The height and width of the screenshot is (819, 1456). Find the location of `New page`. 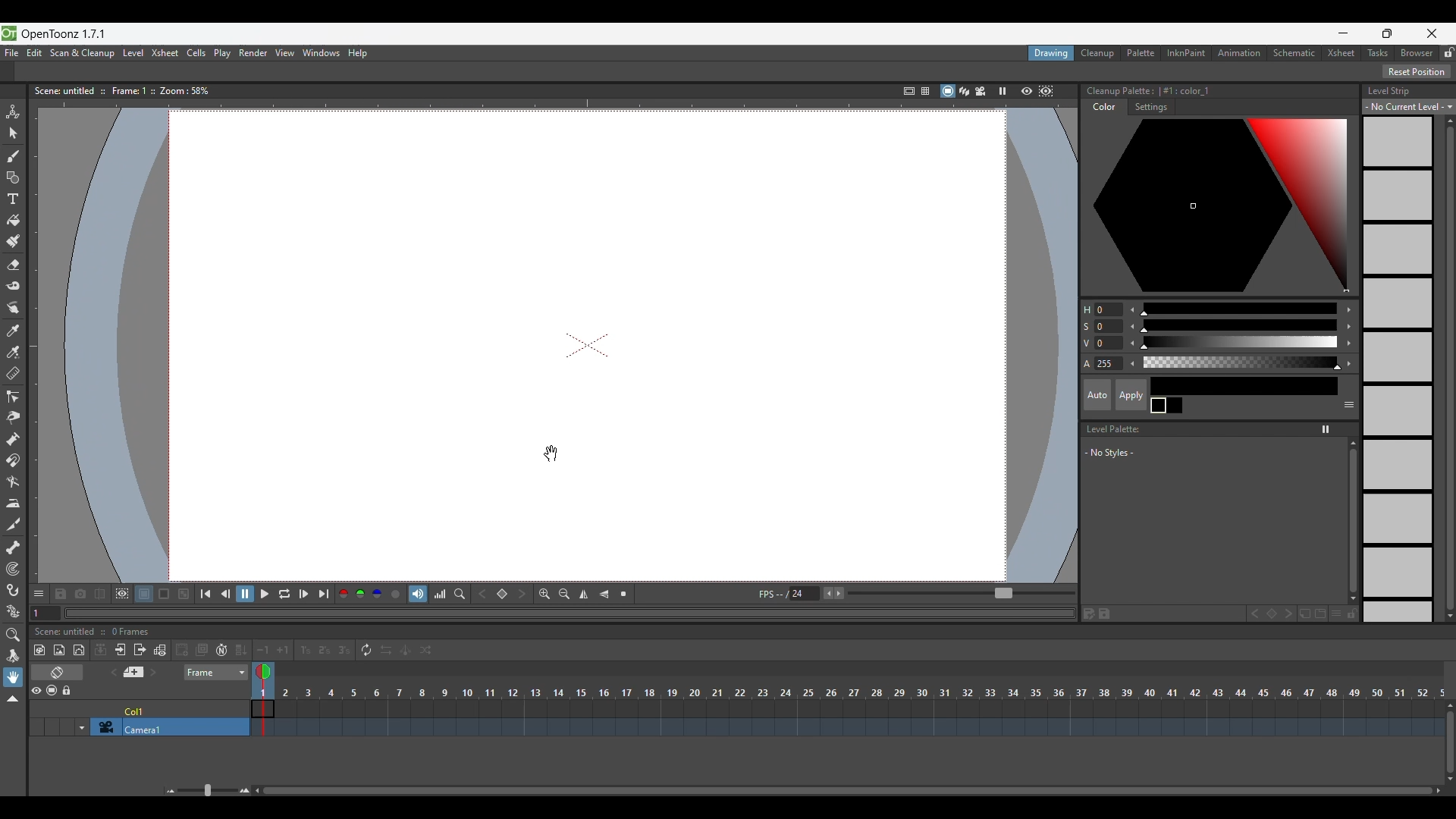

New page is located at coordinates (1306, 613).